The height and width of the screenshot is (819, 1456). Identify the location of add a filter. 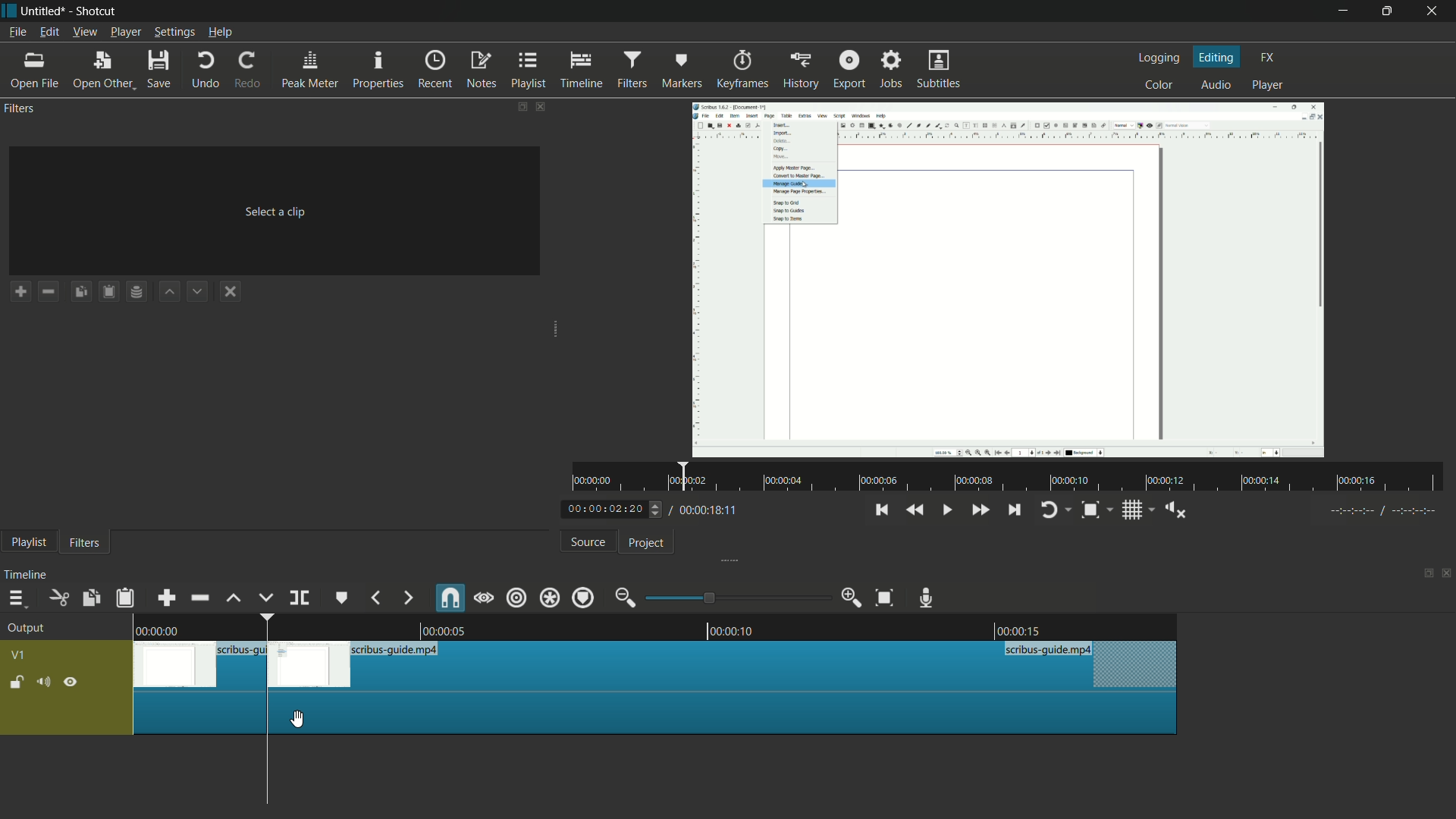
(20, 291).